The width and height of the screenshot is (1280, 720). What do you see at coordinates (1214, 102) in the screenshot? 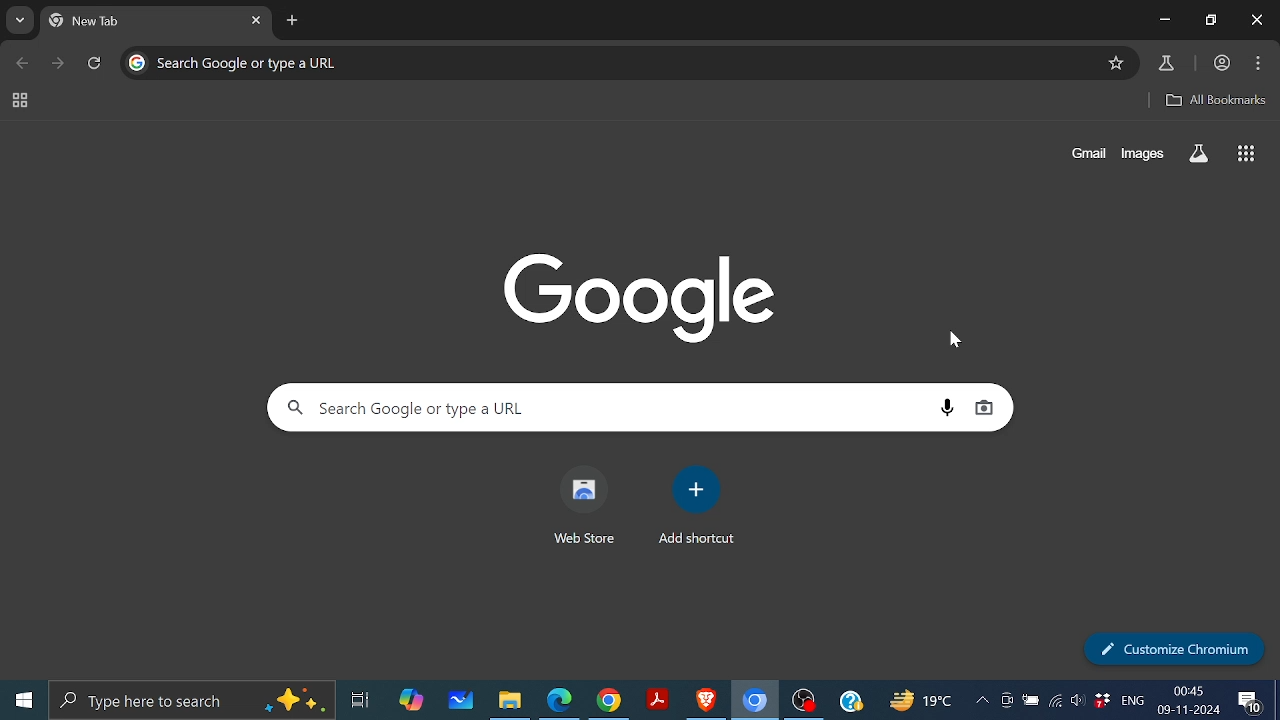
I see `All Bookmarks` at bounding box center [1214, 102].